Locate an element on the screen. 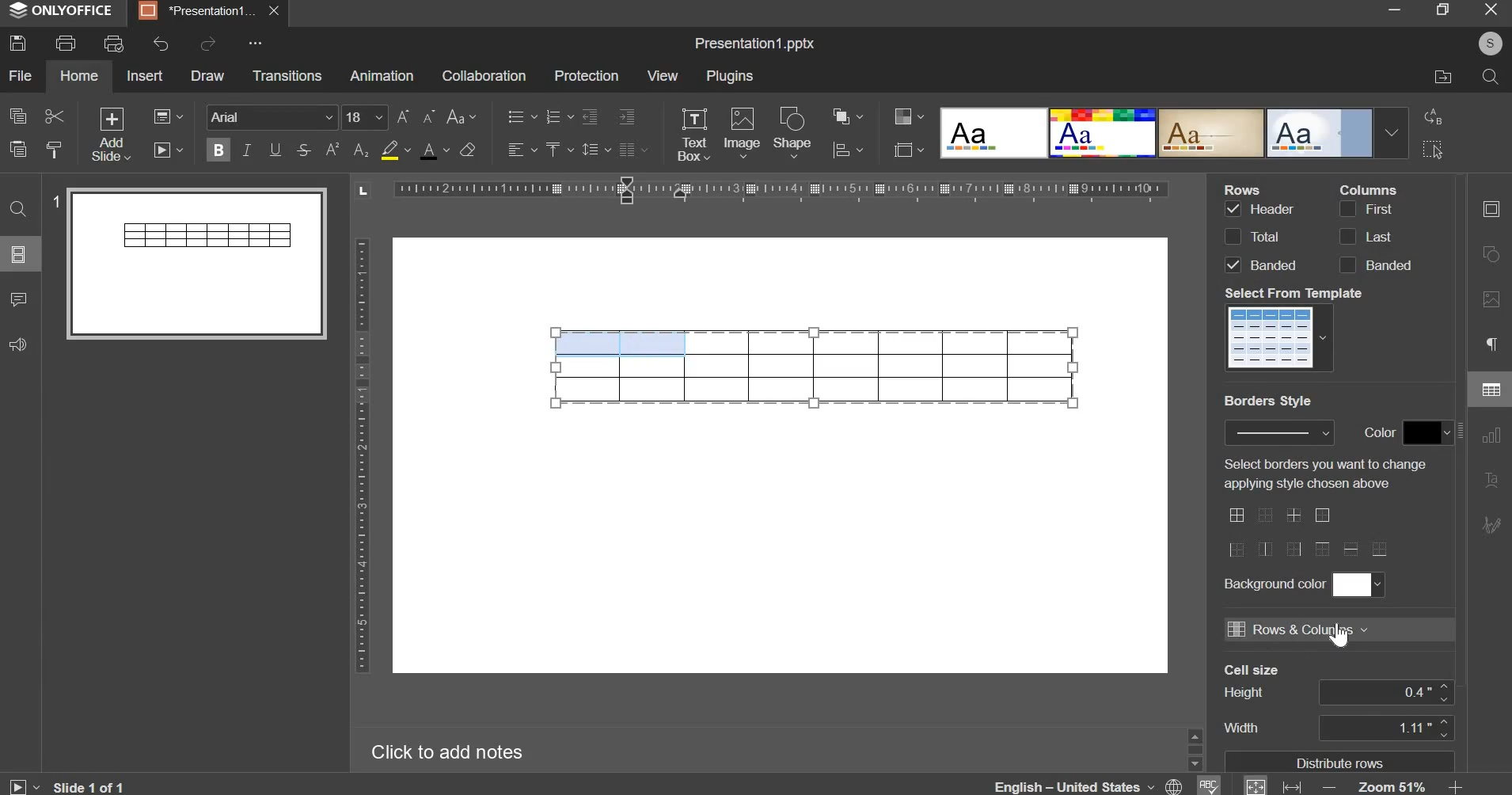 This screenshot has width=1512, height=795. Select From Templete is located at coordinates (1296, 293).